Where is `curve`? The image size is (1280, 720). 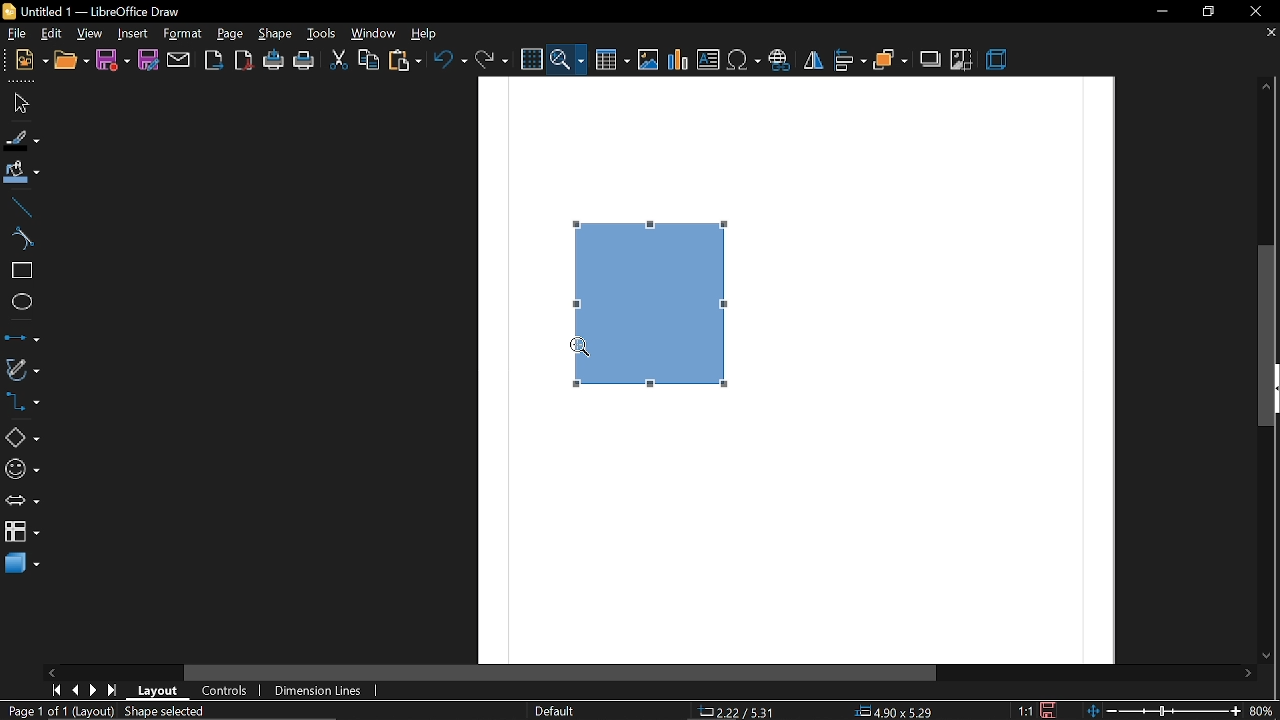 curve is located at coordinates (18, 240).